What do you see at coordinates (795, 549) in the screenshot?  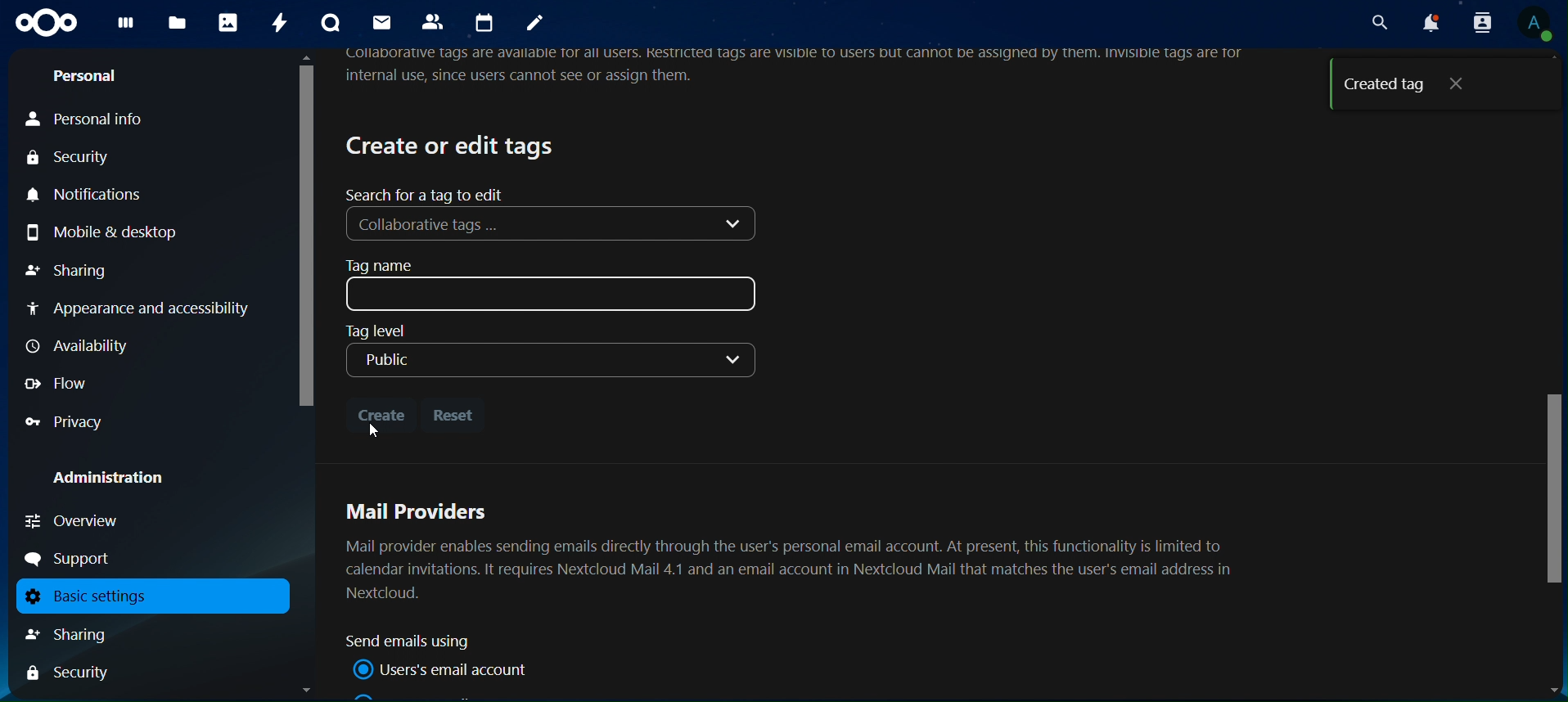 I see `Mail Providers

Mail provider enables sending emails directly through the user's personal email account. At present, this functionality is limited to
calendar invitations. It requires Nextcloud Mail 4.1 and an email account in Nextcloud Mail that matches the user's email address in
Nextcloud.` at bounding box center [795, 549].